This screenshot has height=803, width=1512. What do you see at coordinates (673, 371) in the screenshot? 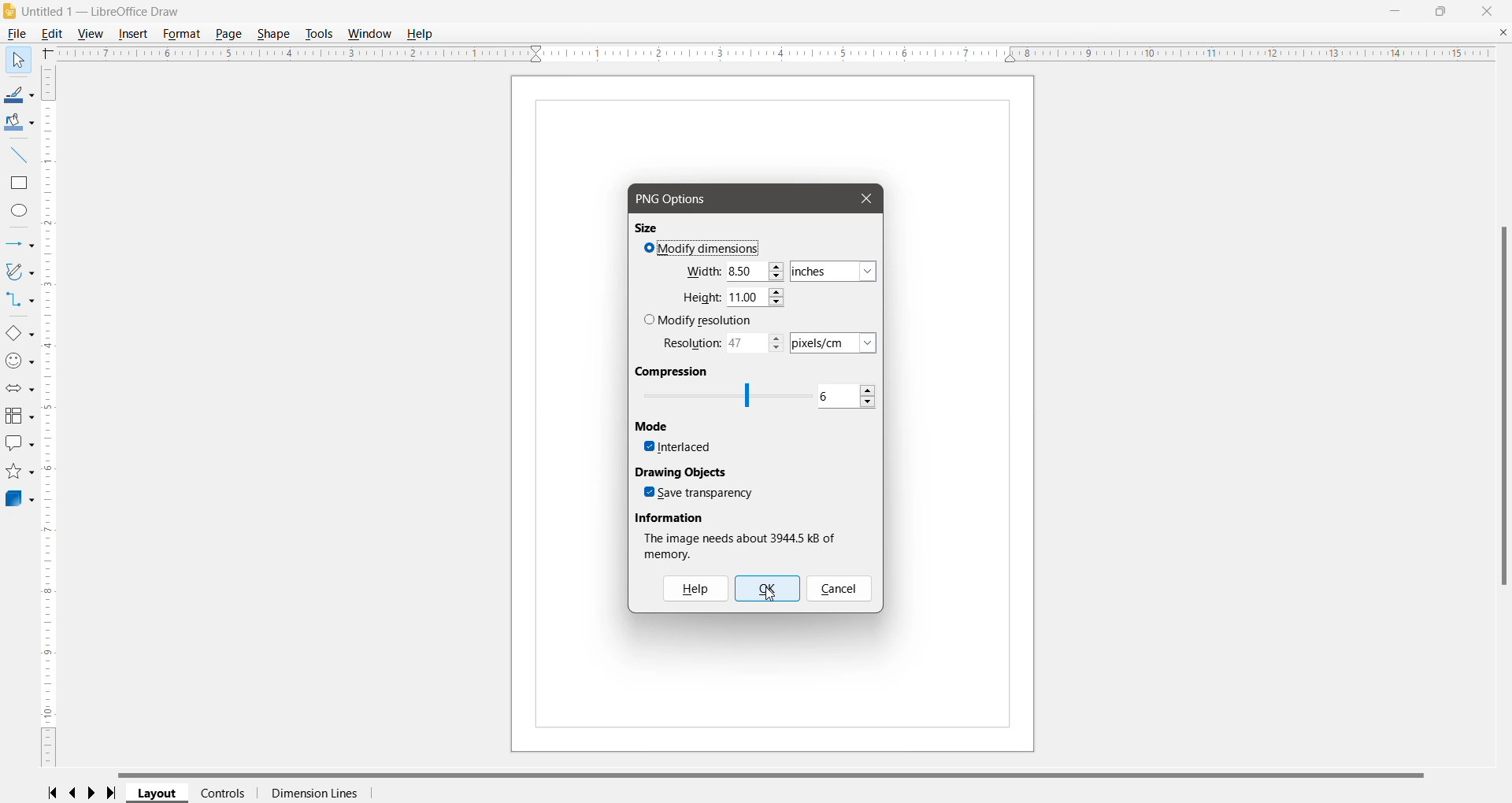
I see `Compression` at bounding box center [673, 371].